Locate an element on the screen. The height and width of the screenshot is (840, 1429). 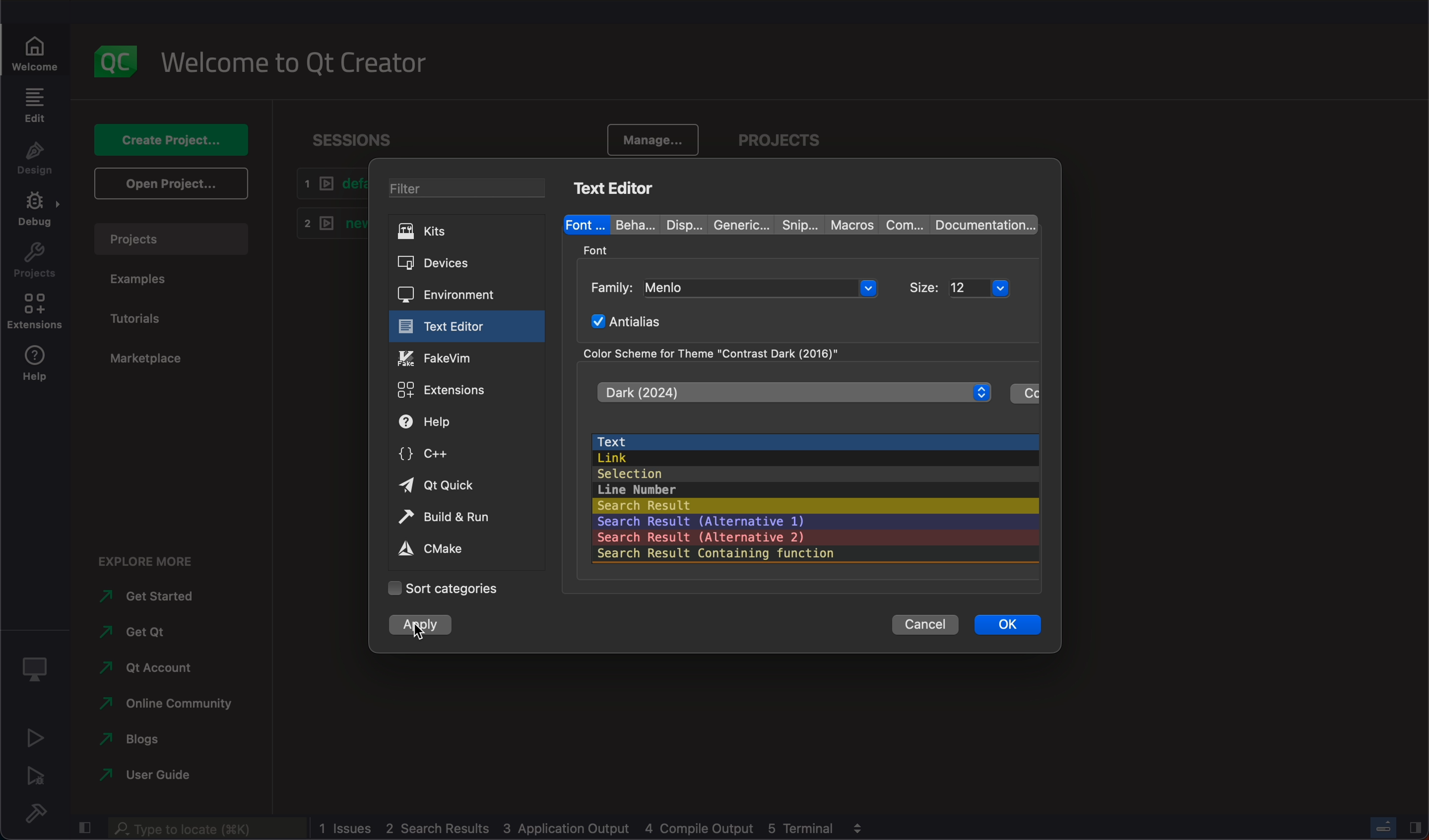
environment is located at coordinates (467, 293).